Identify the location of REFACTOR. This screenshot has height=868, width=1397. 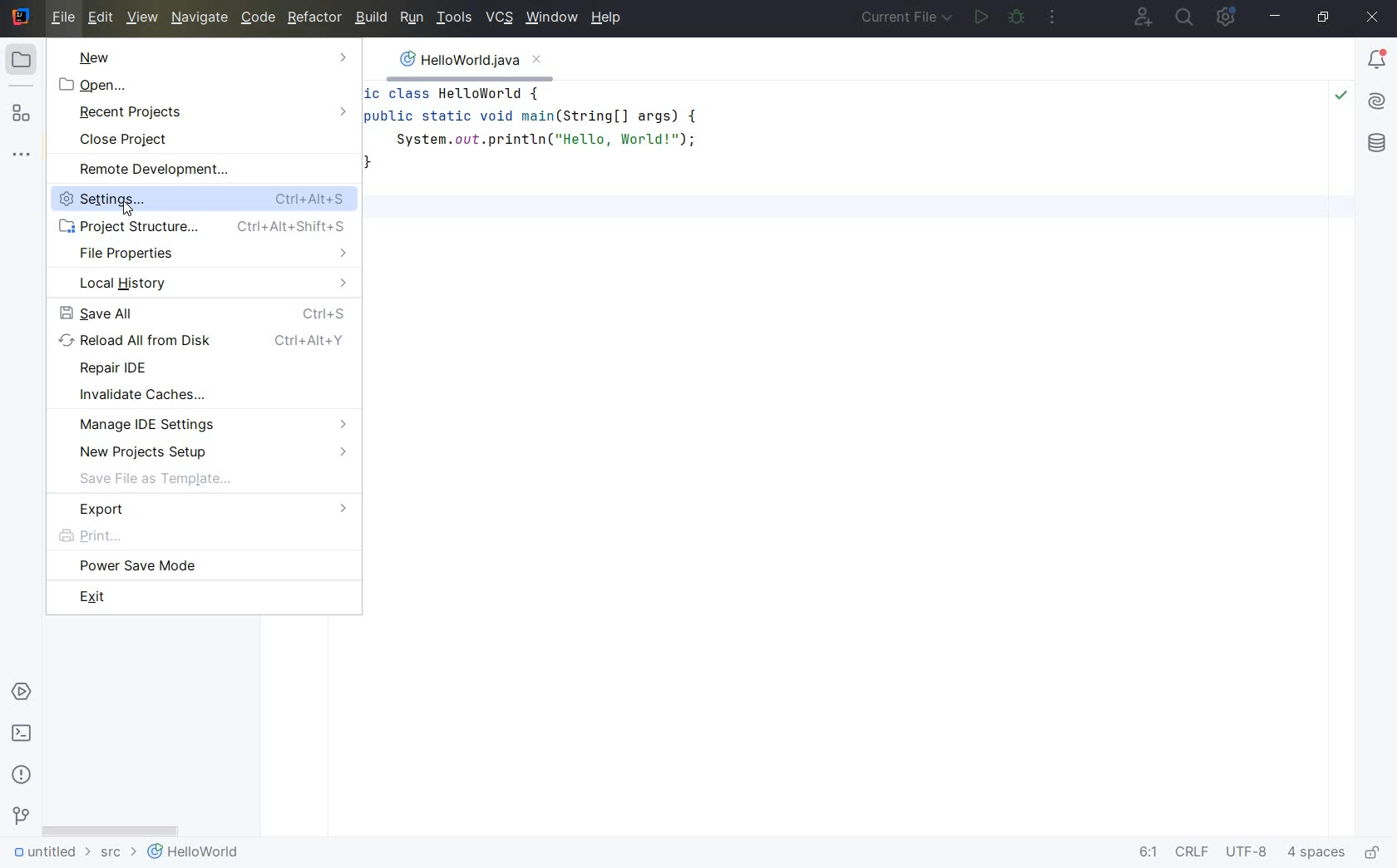
(313, 20).